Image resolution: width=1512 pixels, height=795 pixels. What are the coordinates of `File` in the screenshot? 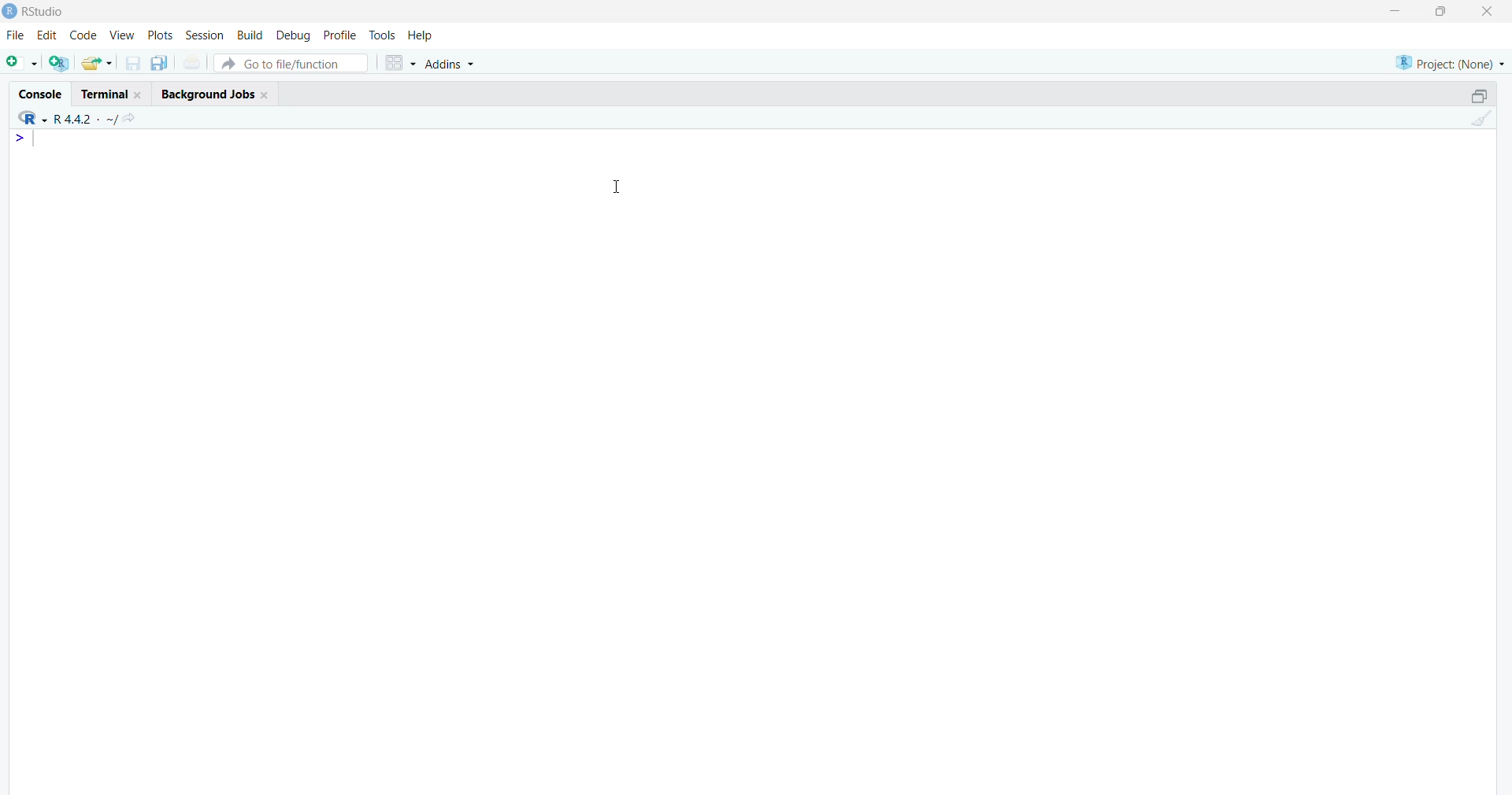 It's located at (13, 37).